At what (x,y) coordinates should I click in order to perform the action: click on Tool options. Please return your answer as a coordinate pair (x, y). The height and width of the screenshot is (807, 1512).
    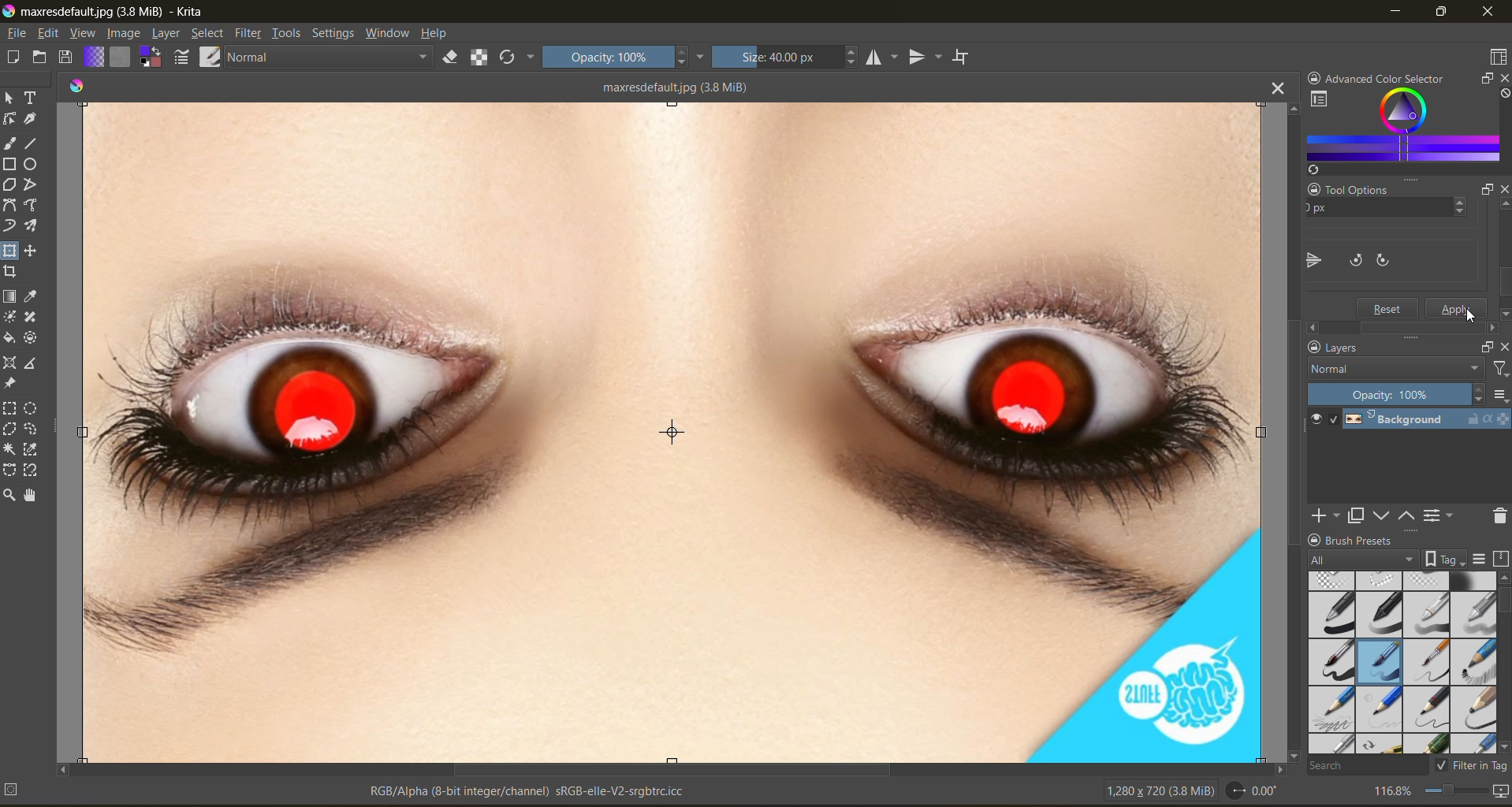
    Looking at the image, I should click on (1372, 188).